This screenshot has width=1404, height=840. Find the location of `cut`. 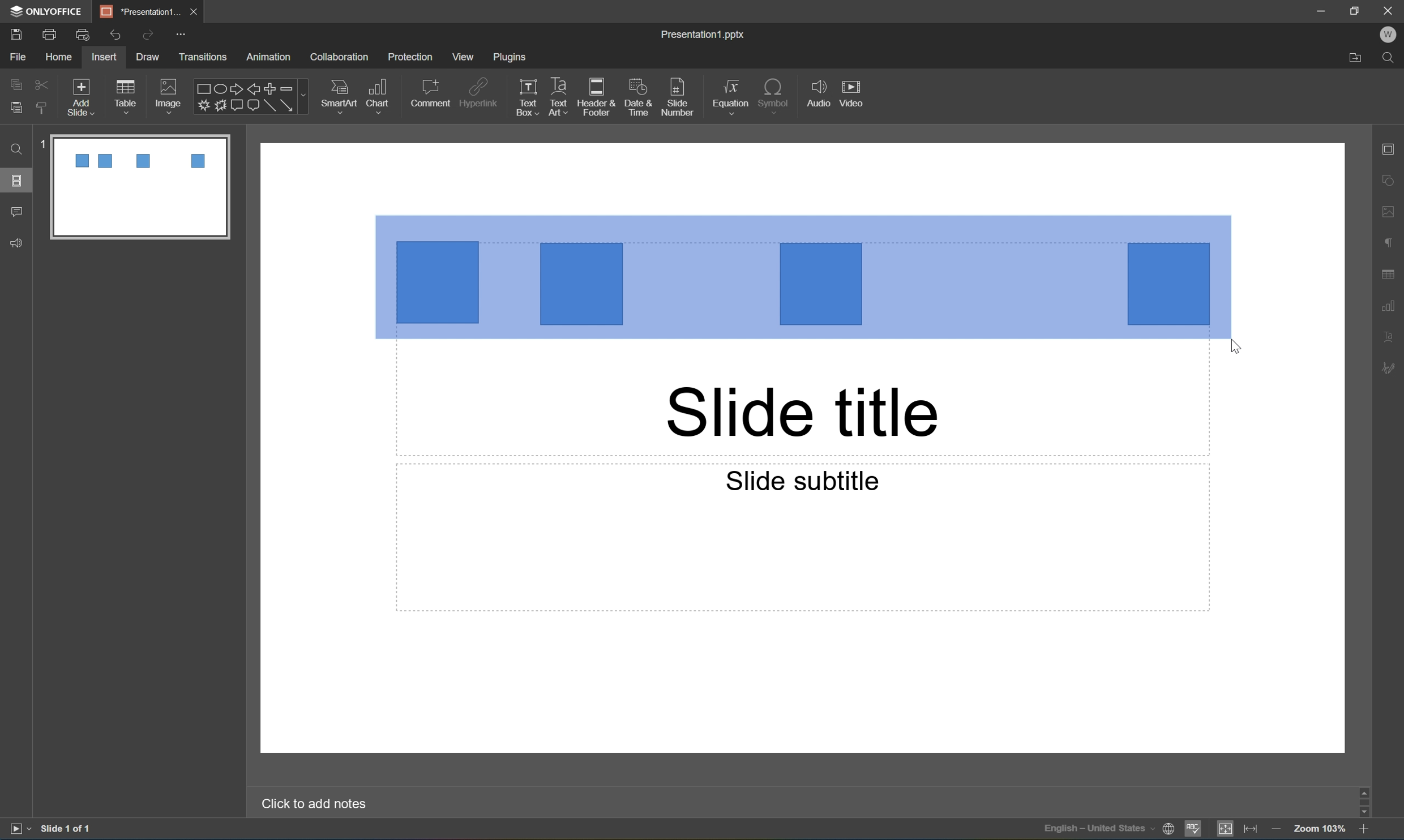

cut is located at coordinates (41, 83).